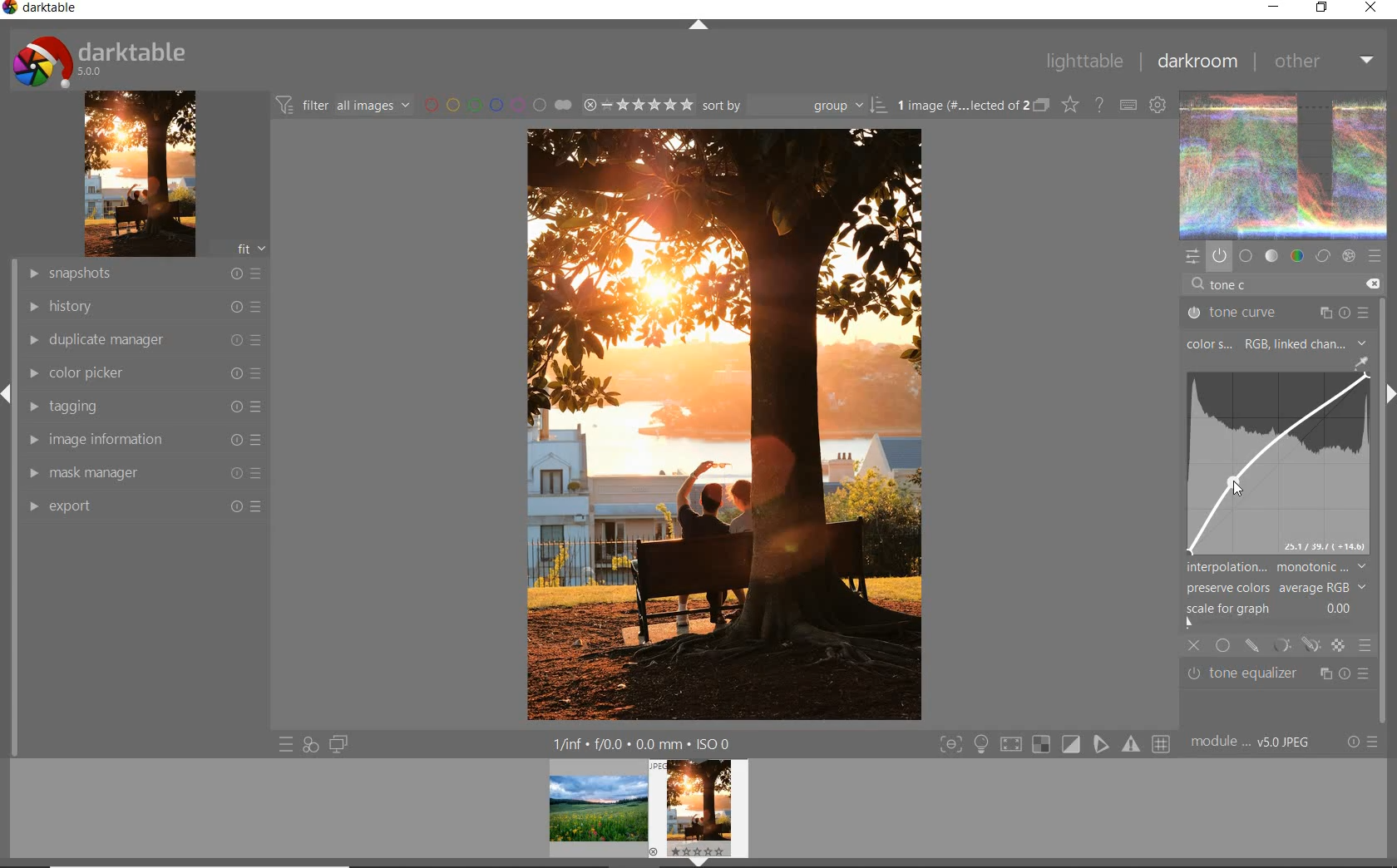  What do you see at coordinates (310, 744) in the screenshot?
I see `quick access for applying any of your styles` at bounding box center [310, 744].